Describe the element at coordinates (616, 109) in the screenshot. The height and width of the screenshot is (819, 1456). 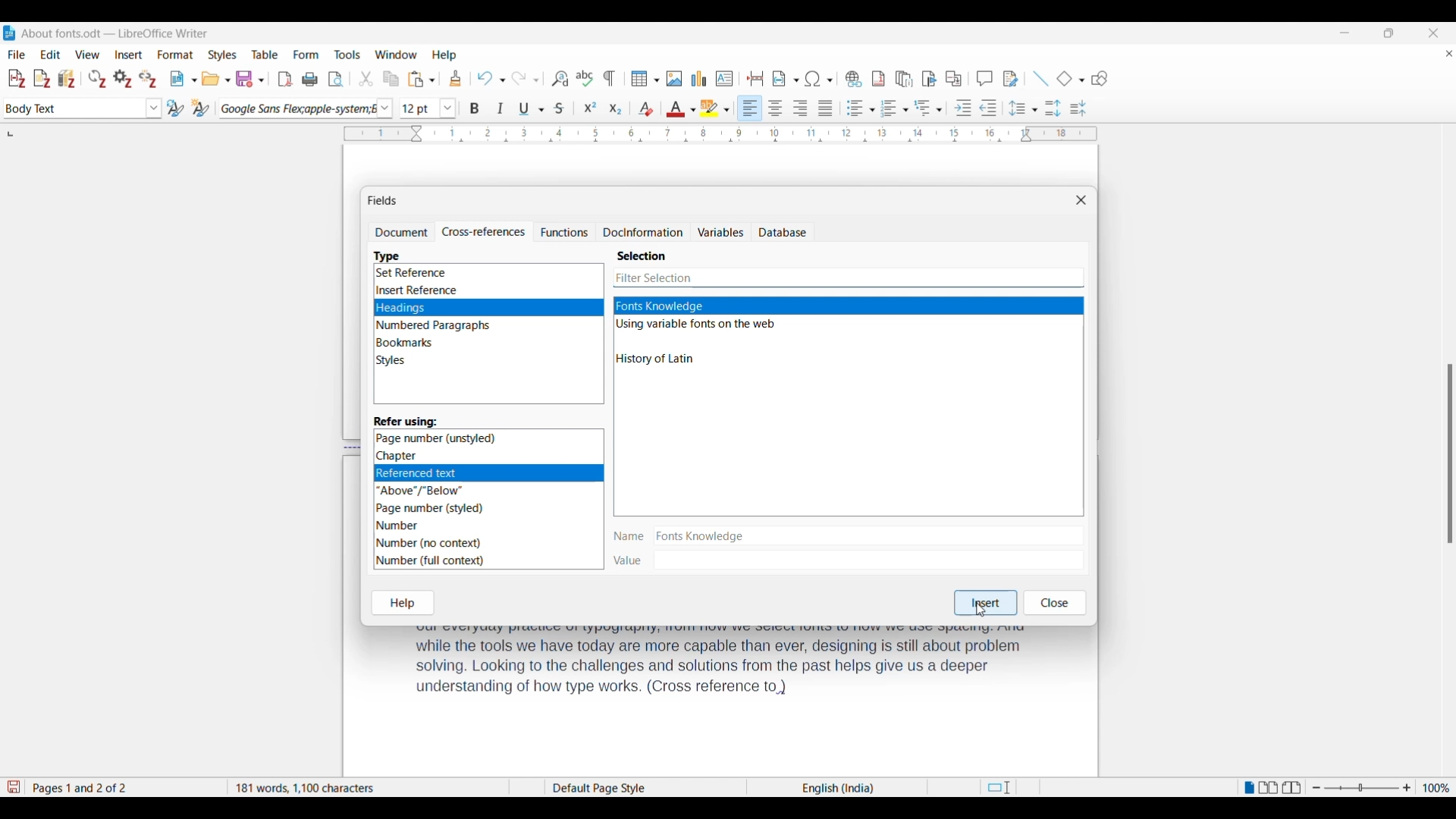
I see `Subscript` at that location.